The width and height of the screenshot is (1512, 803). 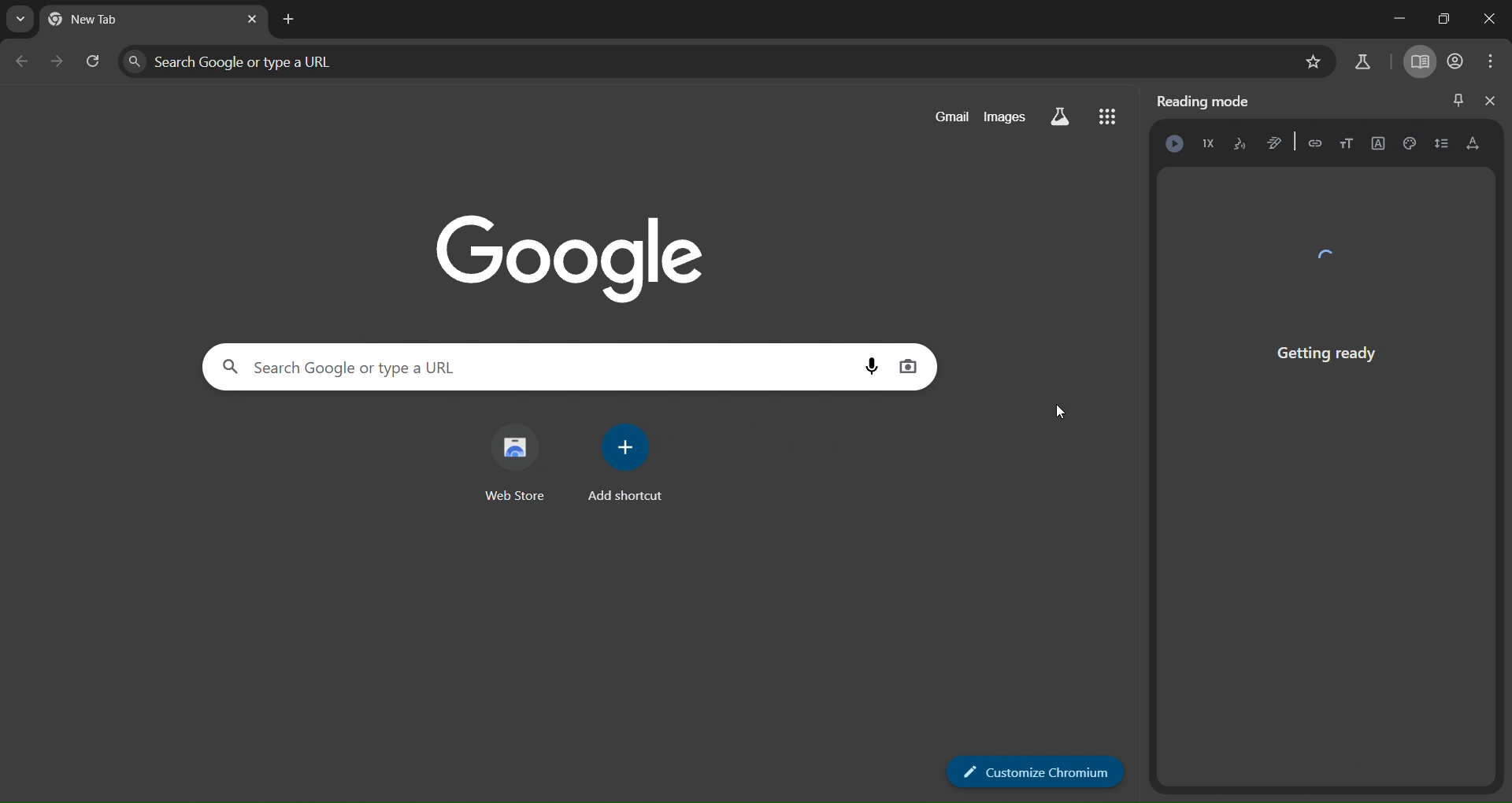 What do you see at coordinates (1492, 17) in the screenshot?
I see `close` at bounding box center [1492, 17].